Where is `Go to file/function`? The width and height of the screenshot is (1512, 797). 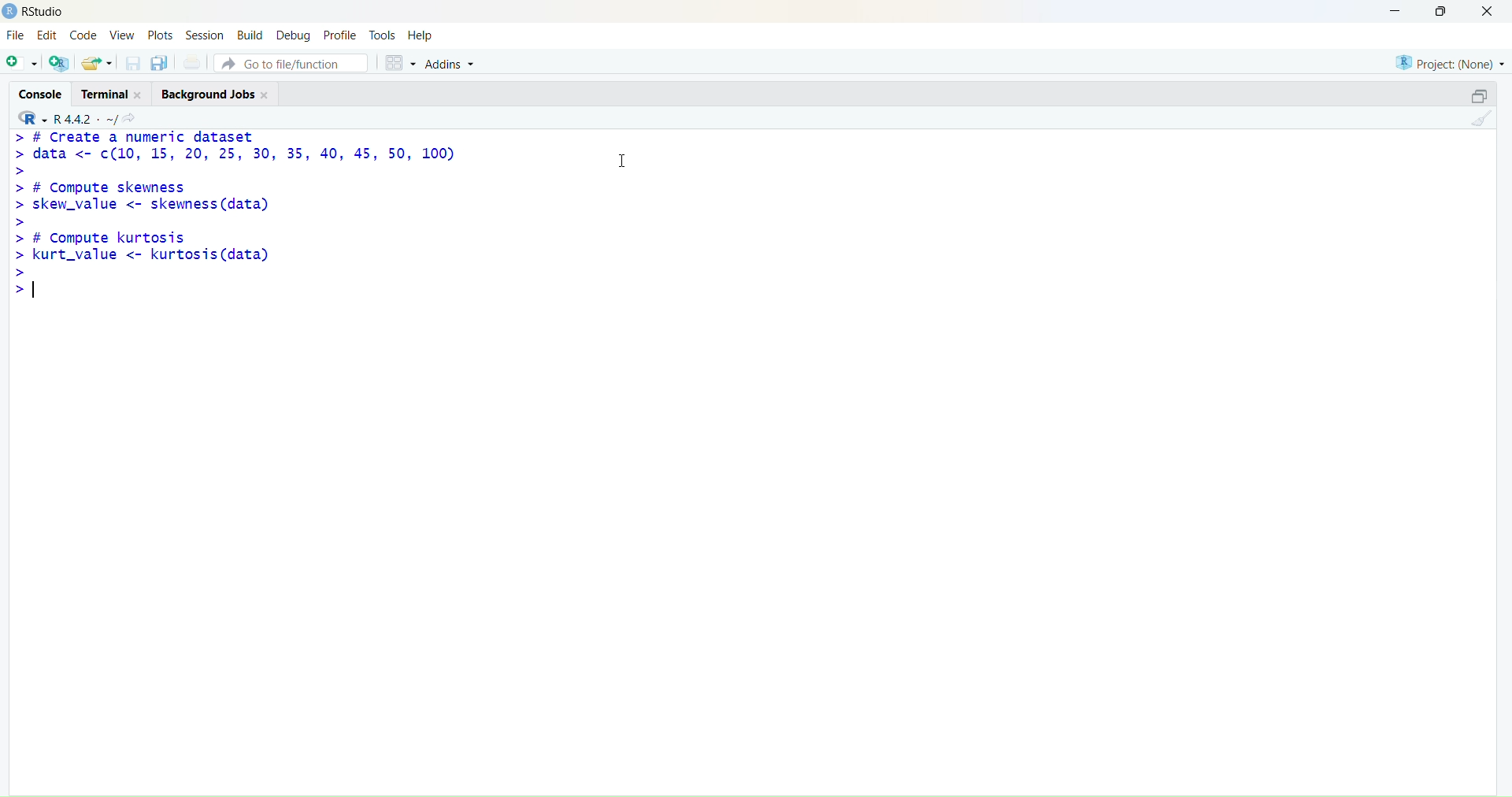
Go to file/function is located at coordinates (293, 62).